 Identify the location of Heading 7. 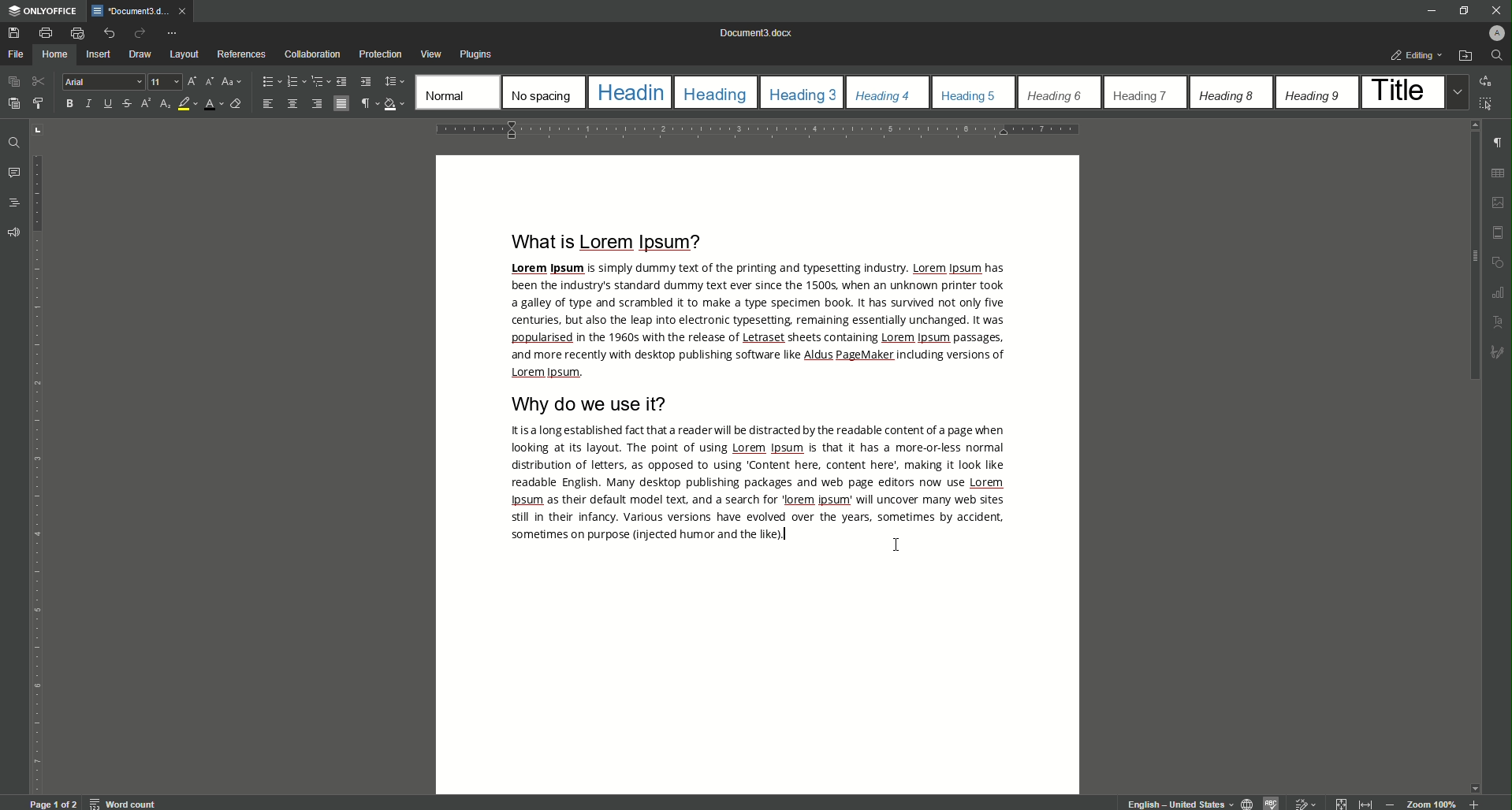
(1140, 95).